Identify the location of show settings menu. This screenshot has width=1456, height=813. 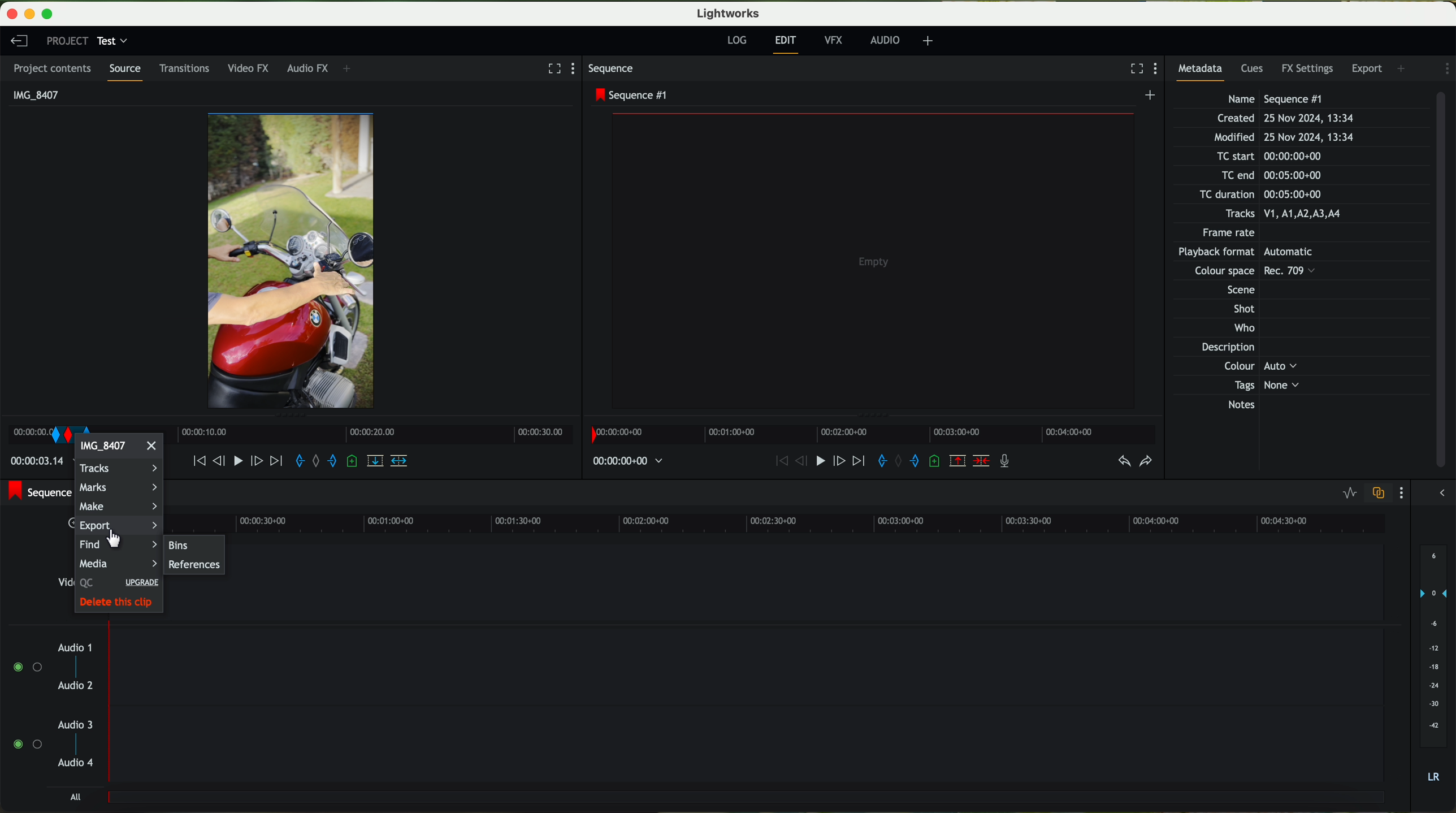
(1445, 68).